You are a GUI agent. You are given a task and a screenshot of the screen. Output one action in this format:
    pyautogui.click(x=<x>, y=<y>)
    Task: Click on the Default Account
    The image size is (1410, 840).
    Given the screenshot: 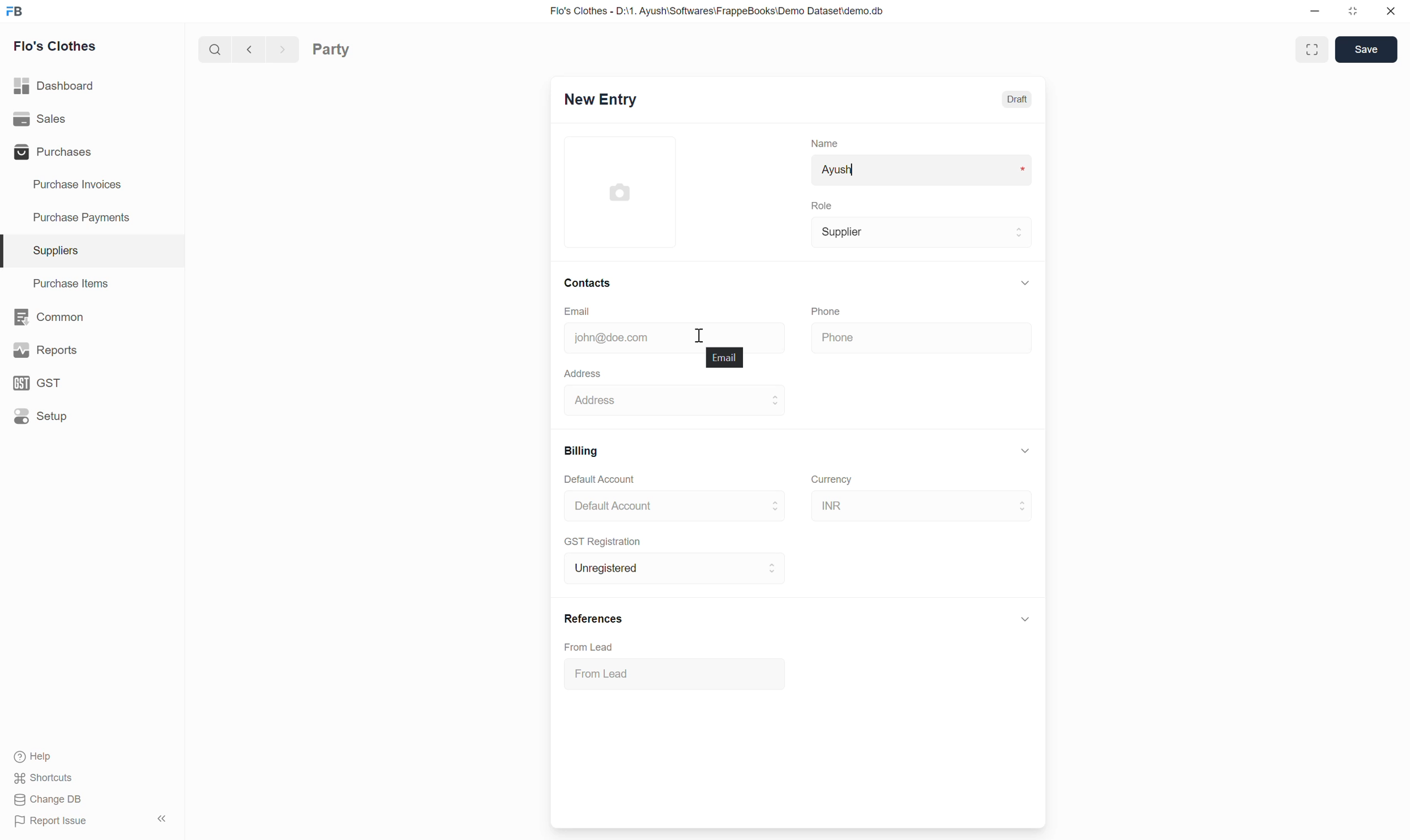 What is the action you would take?
    pyautogui.click(x=676, y=506)
    